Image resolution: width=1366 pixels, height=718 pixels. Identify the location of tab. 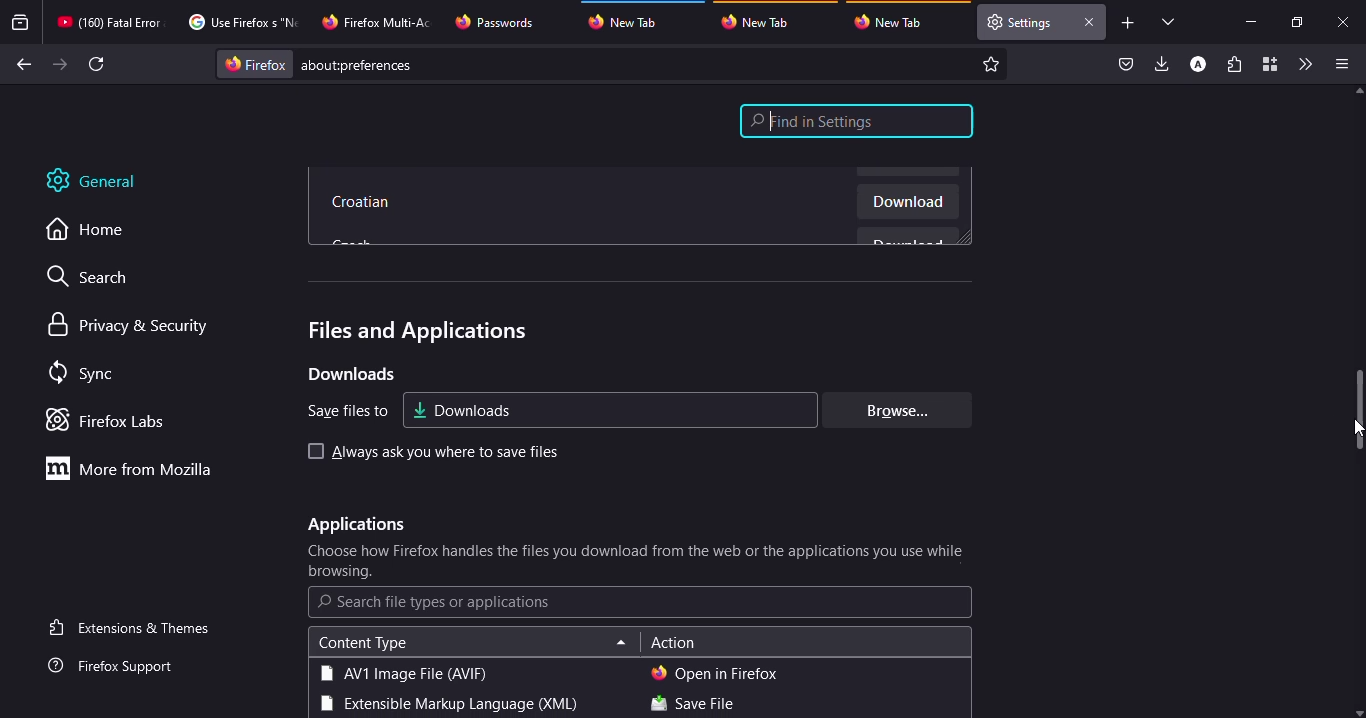
(240, 22).